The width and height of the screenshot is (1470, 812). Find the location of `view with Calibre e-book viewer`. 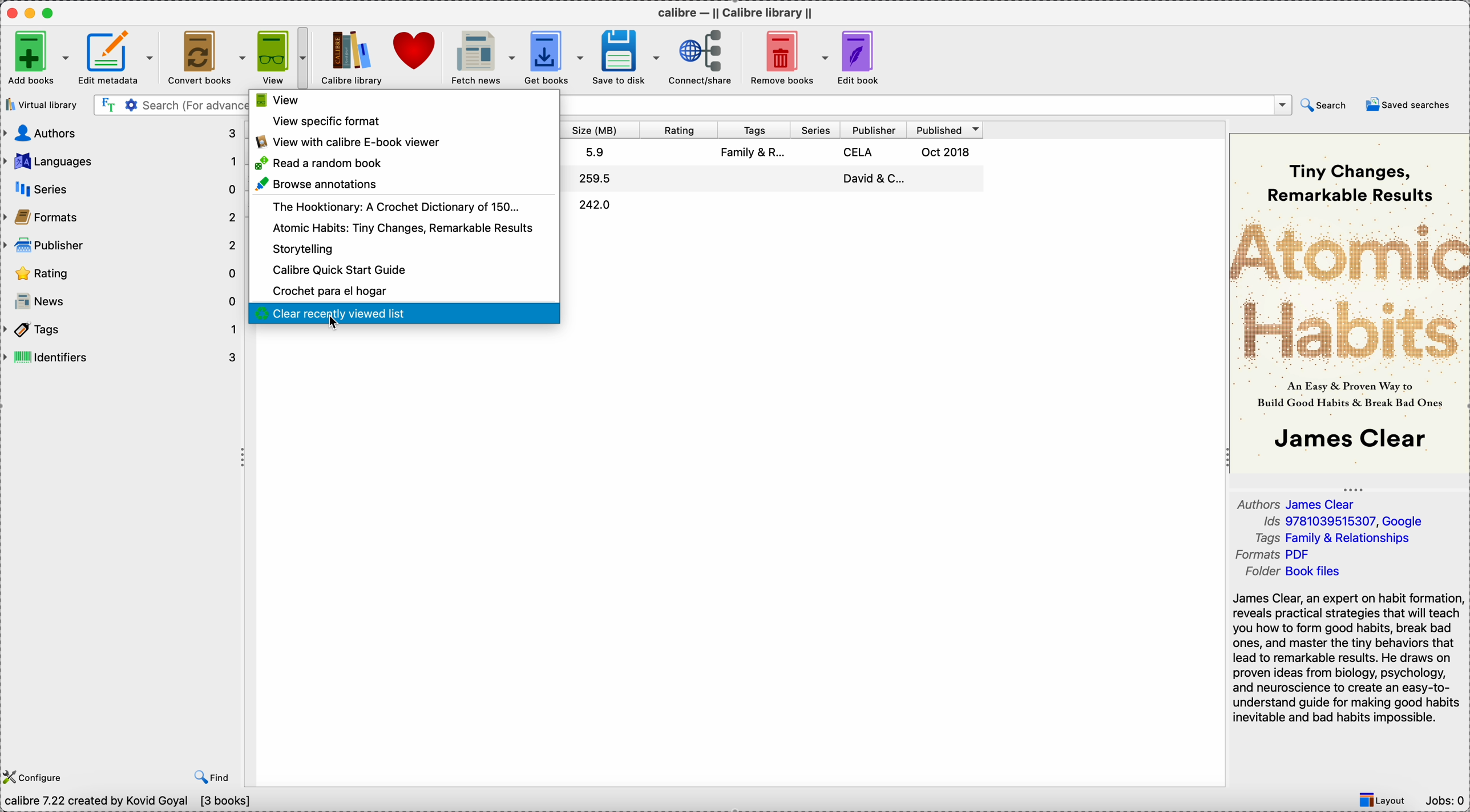

view with Calibre e-book viewer is located at coordinates (350, 142).